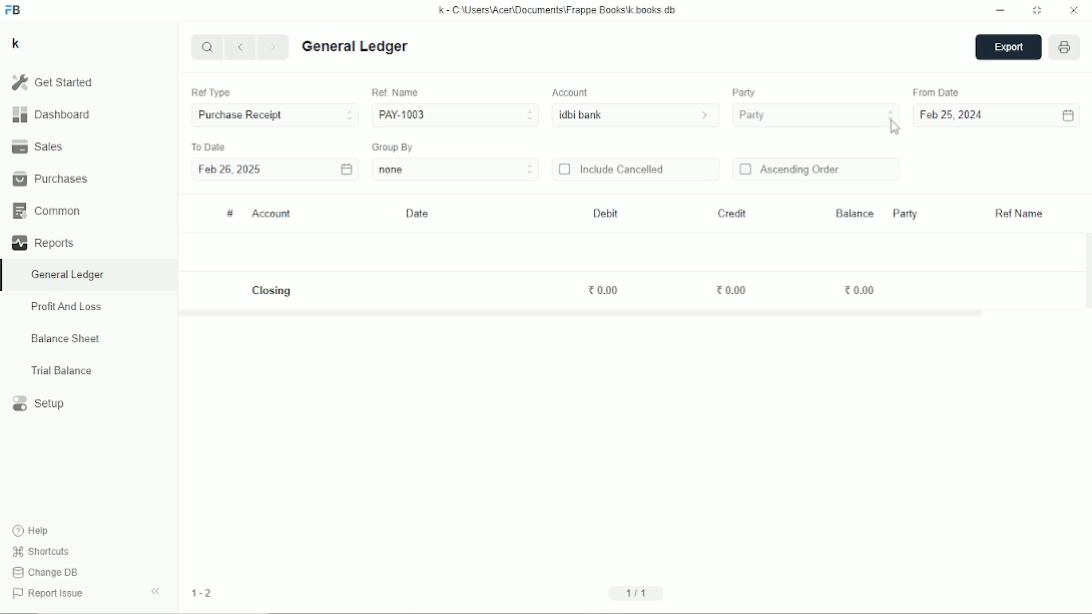  Describe the element at coordinates (66, 338) in the screenshot. I see `Balance sheet` at that location.